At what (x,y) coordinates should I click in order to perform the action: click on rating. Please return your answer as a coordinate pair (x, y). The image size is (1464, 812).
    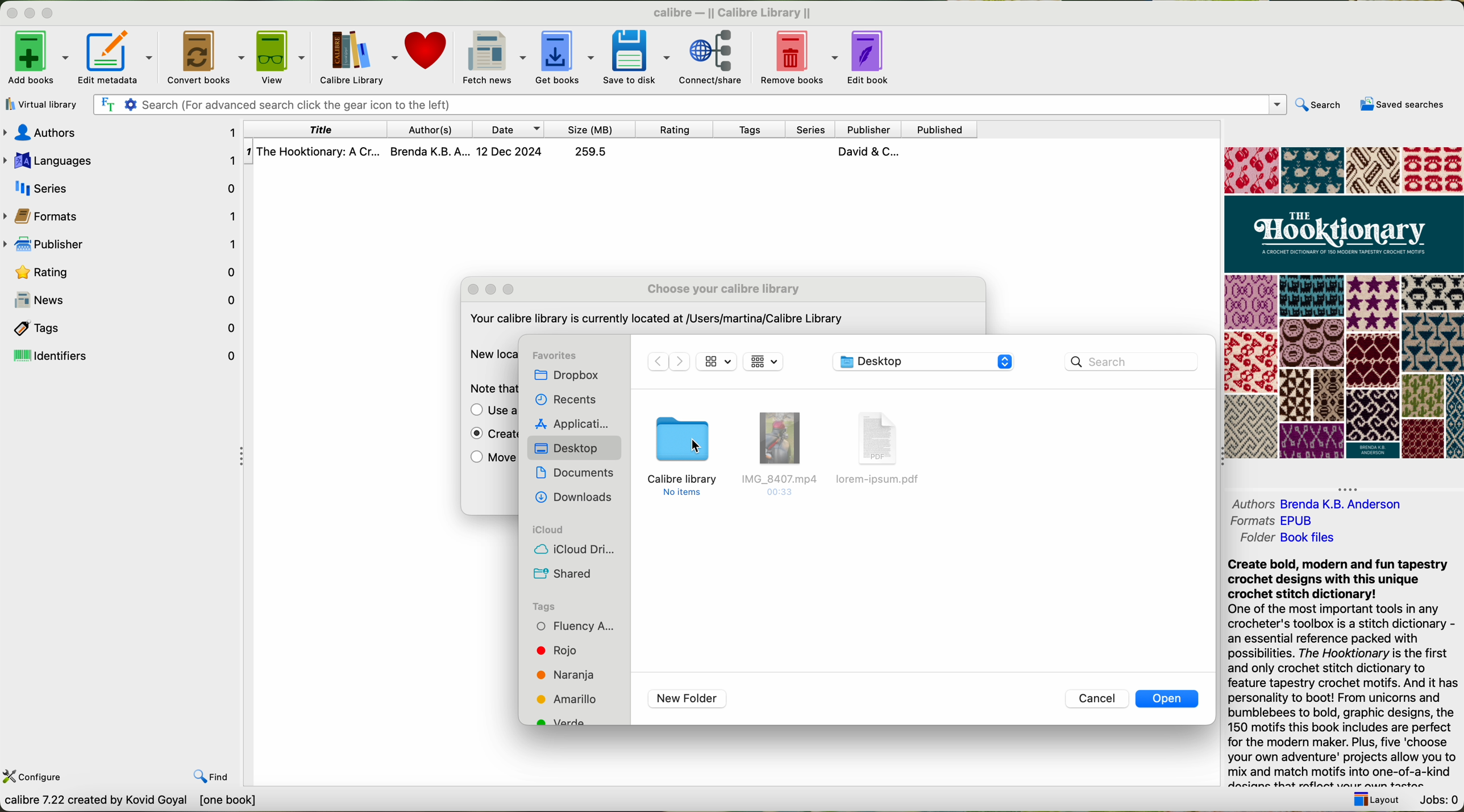
    Looking at the image, I should click on (681, 129).